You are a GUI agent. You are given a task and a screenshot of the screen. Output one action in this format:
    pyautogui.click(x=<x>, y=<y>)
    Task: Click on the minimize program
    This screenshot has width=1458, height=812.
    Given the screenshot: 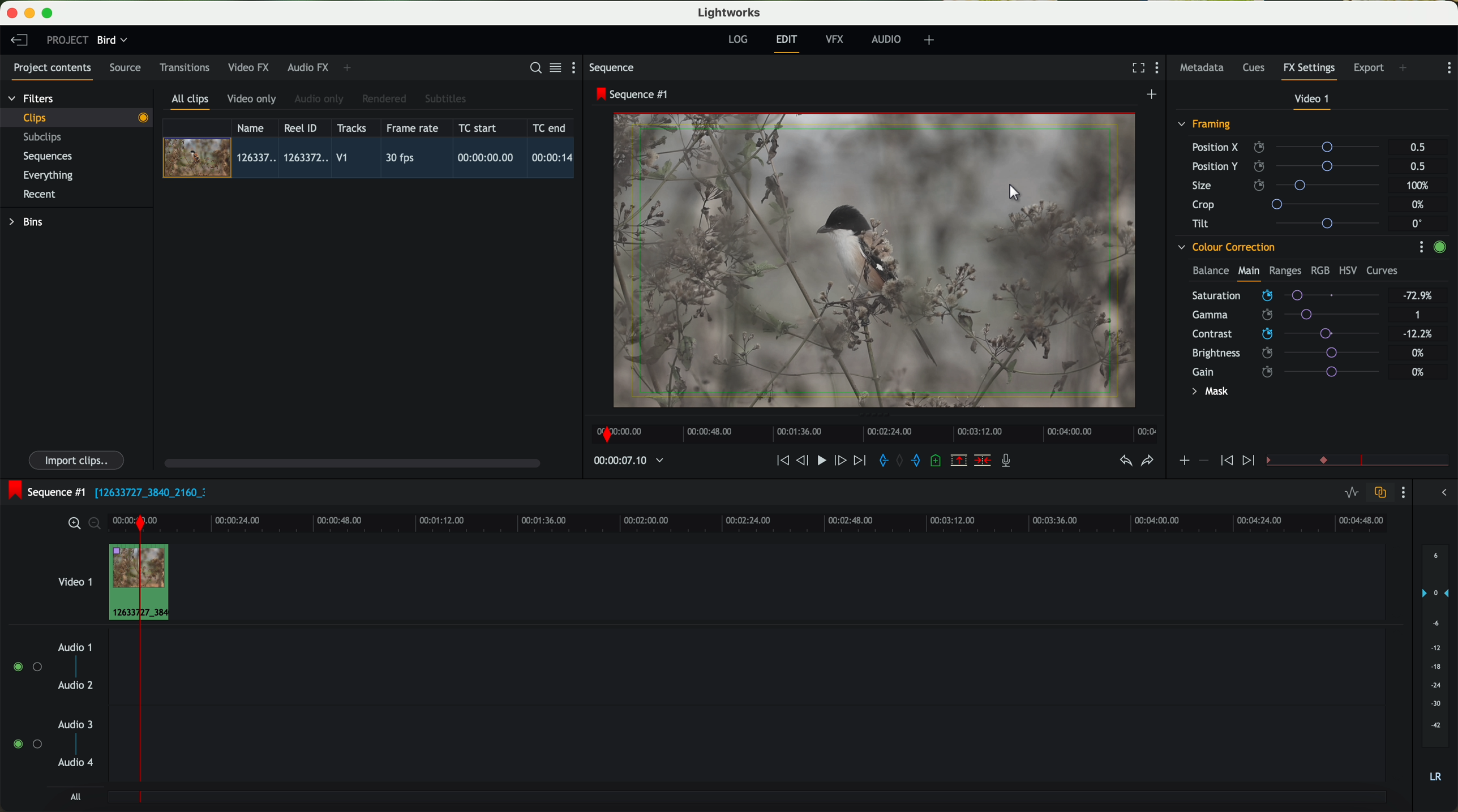 What is the action you would take?
    pyautogui.click(x=32, y=14)
    